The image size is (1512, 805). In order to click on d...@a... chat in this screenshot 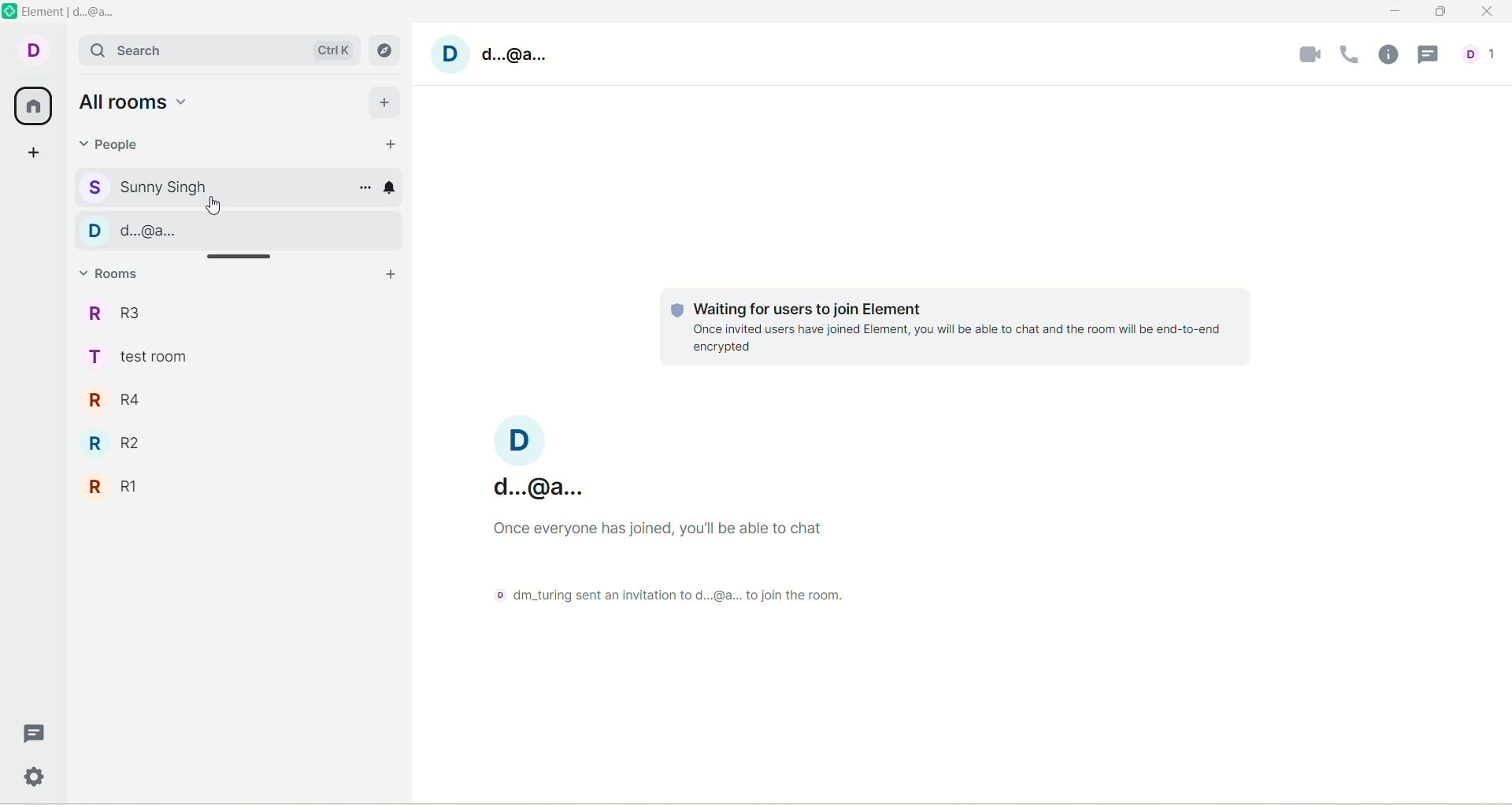, I will do `click(235, 231)`.